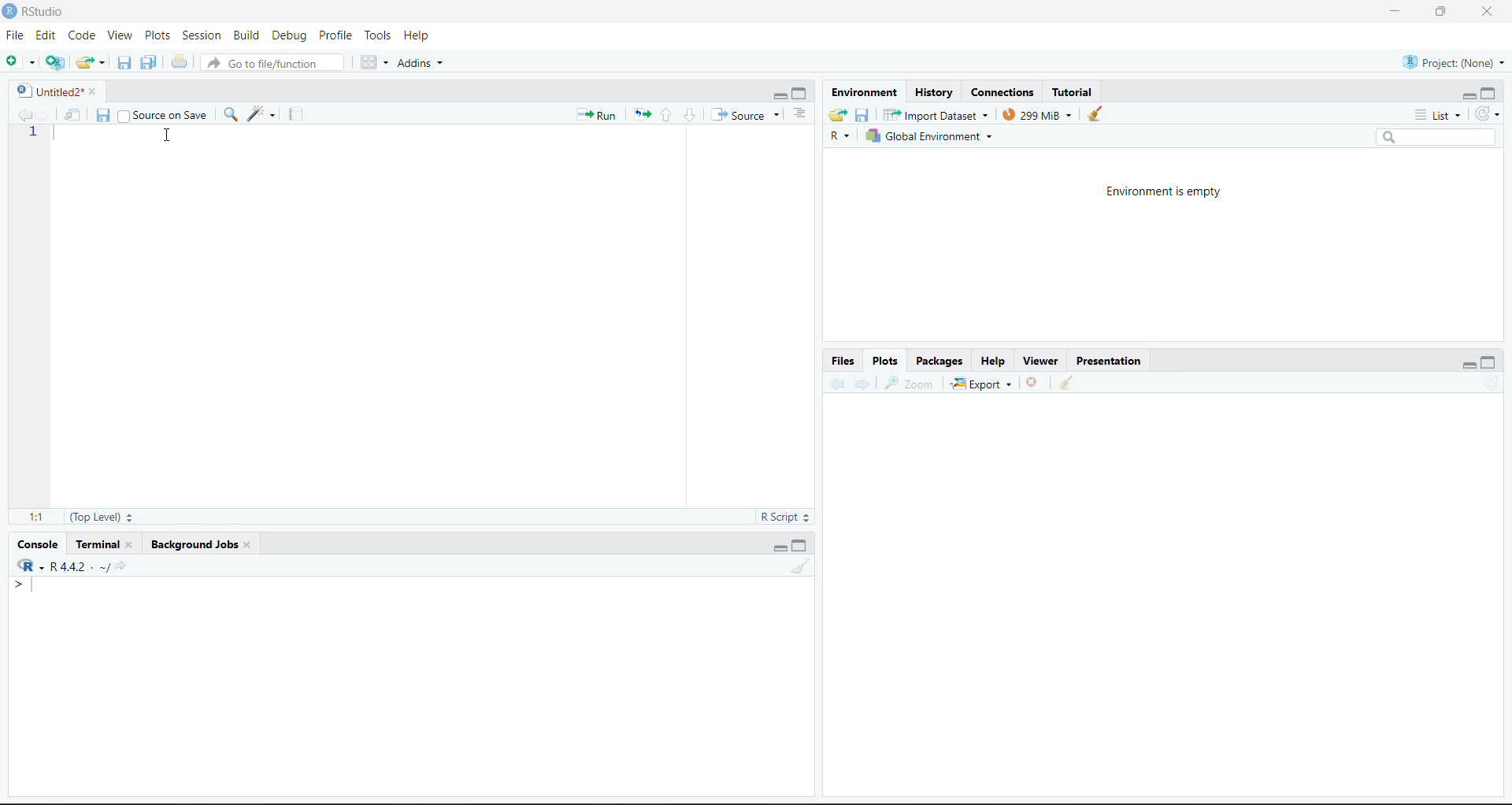  I want to click on Presentation, so click(1110, 361).